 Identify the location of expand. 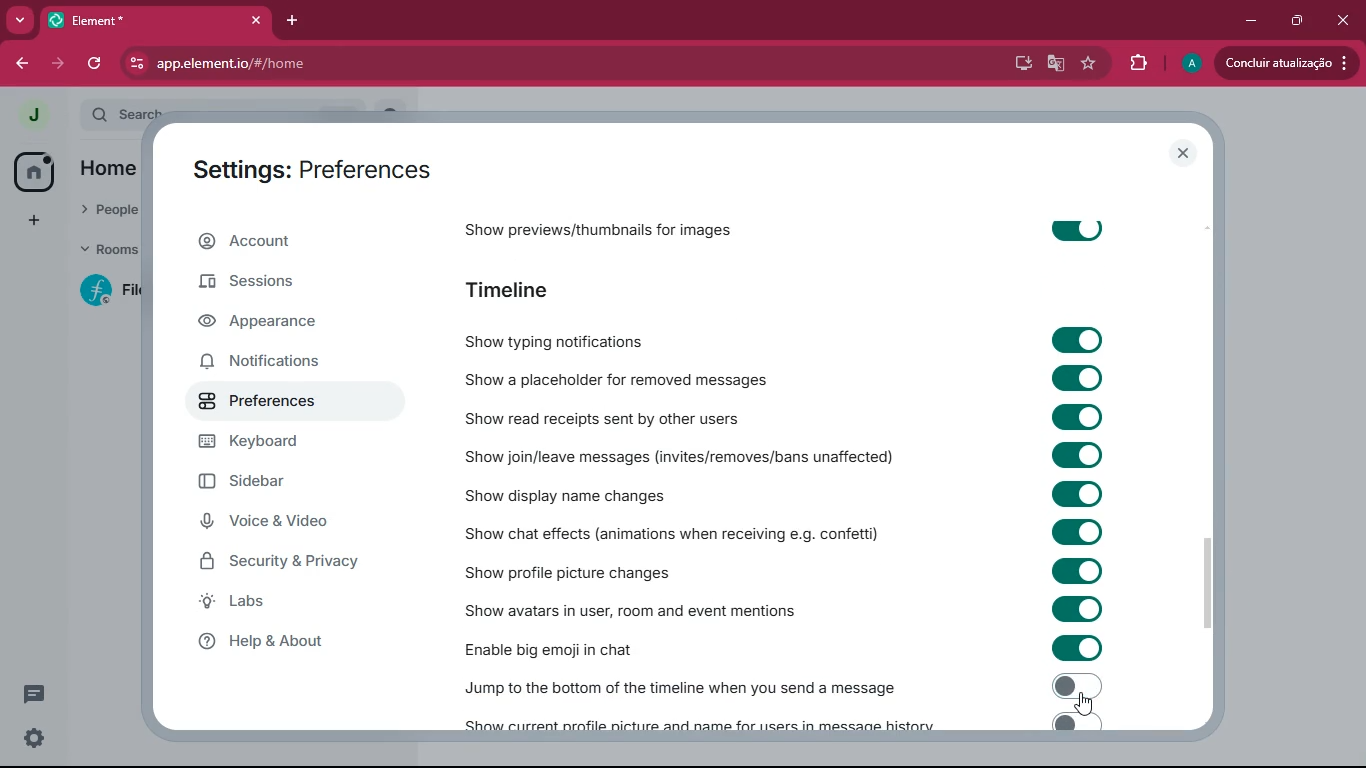
(67, 116).